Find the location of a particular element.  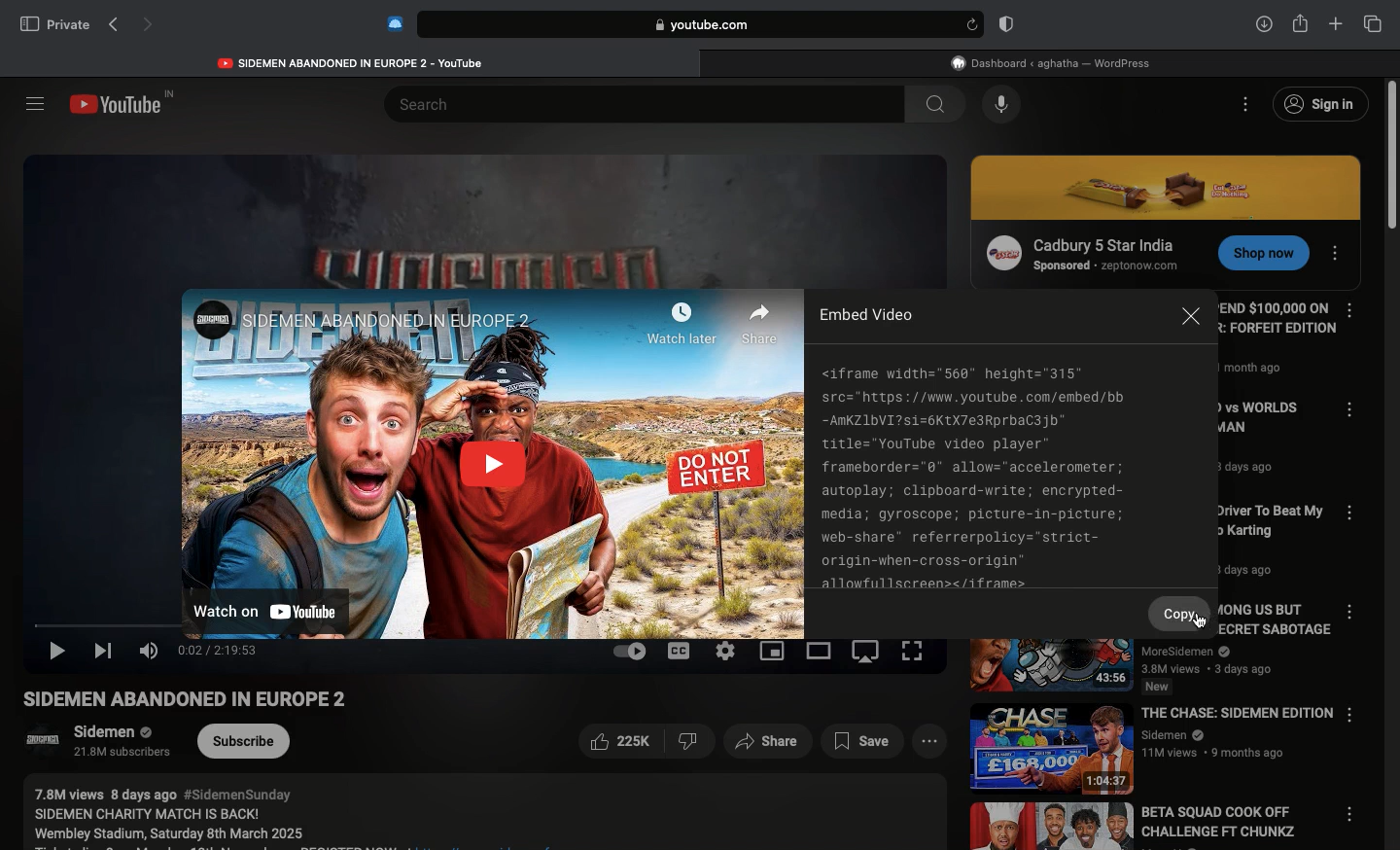

Options is located at coordinates (1339, 249).